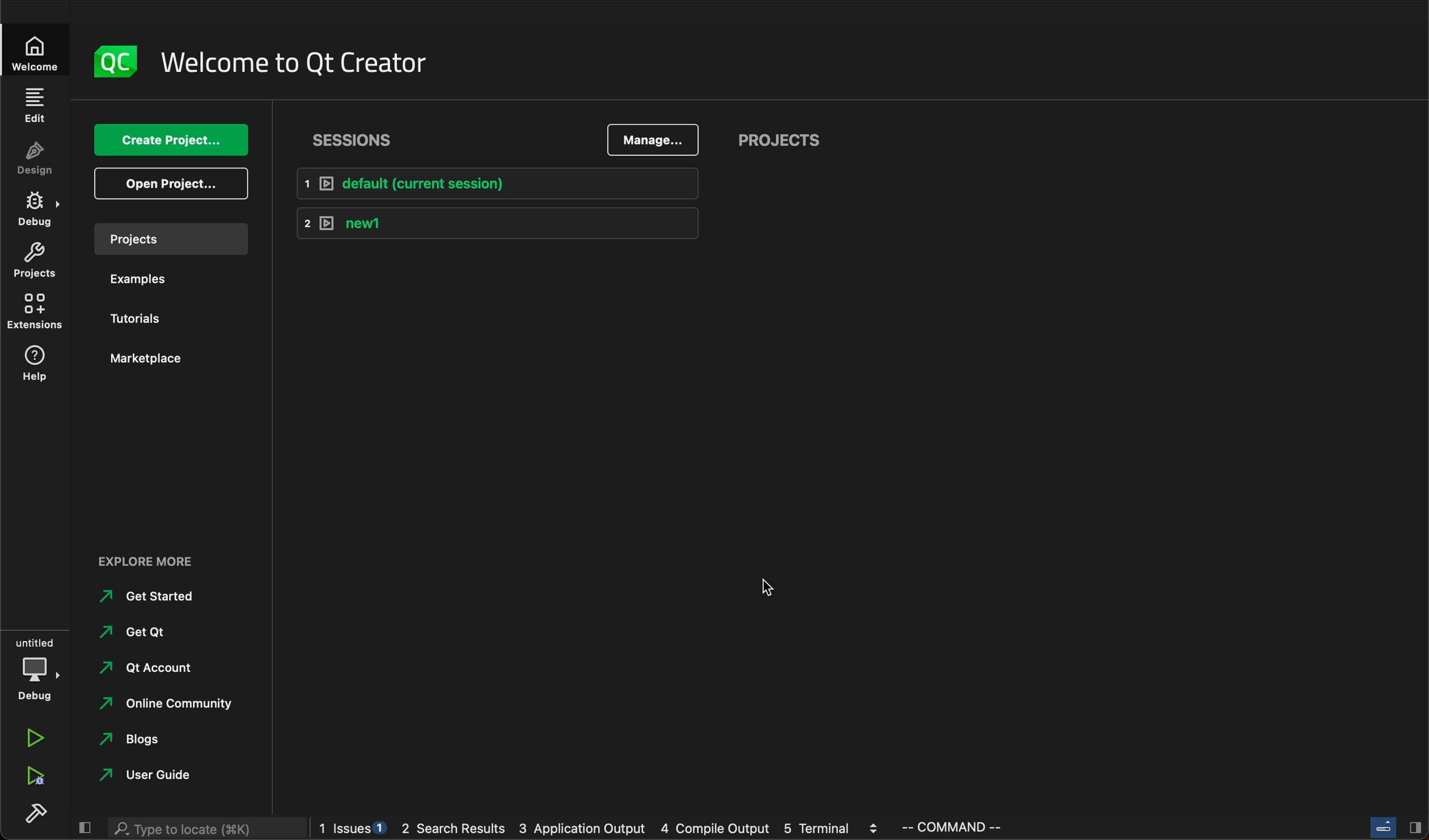  Describe the element at coordinates (174, 184) in the screenshot. I see `open` at that location.